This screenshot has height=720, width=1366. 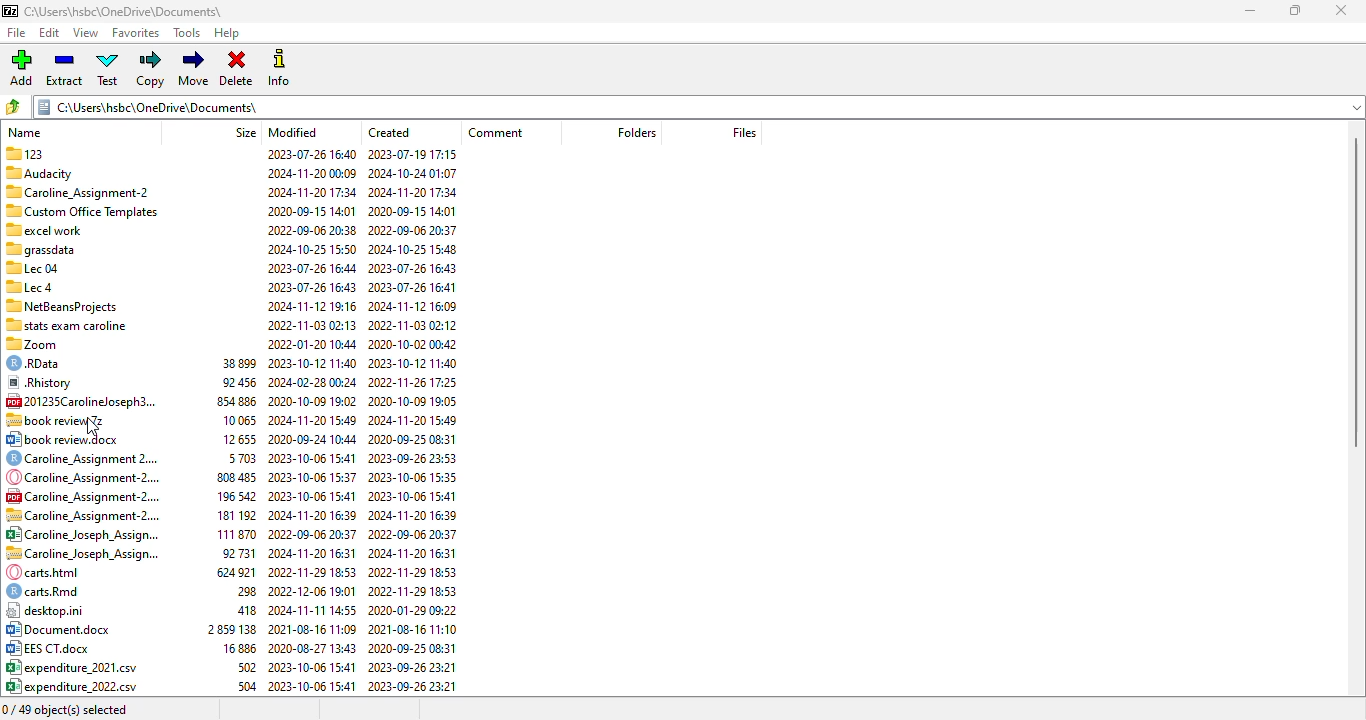 I want to click on Caroline Assignment-2, so click(x=77, y=192).